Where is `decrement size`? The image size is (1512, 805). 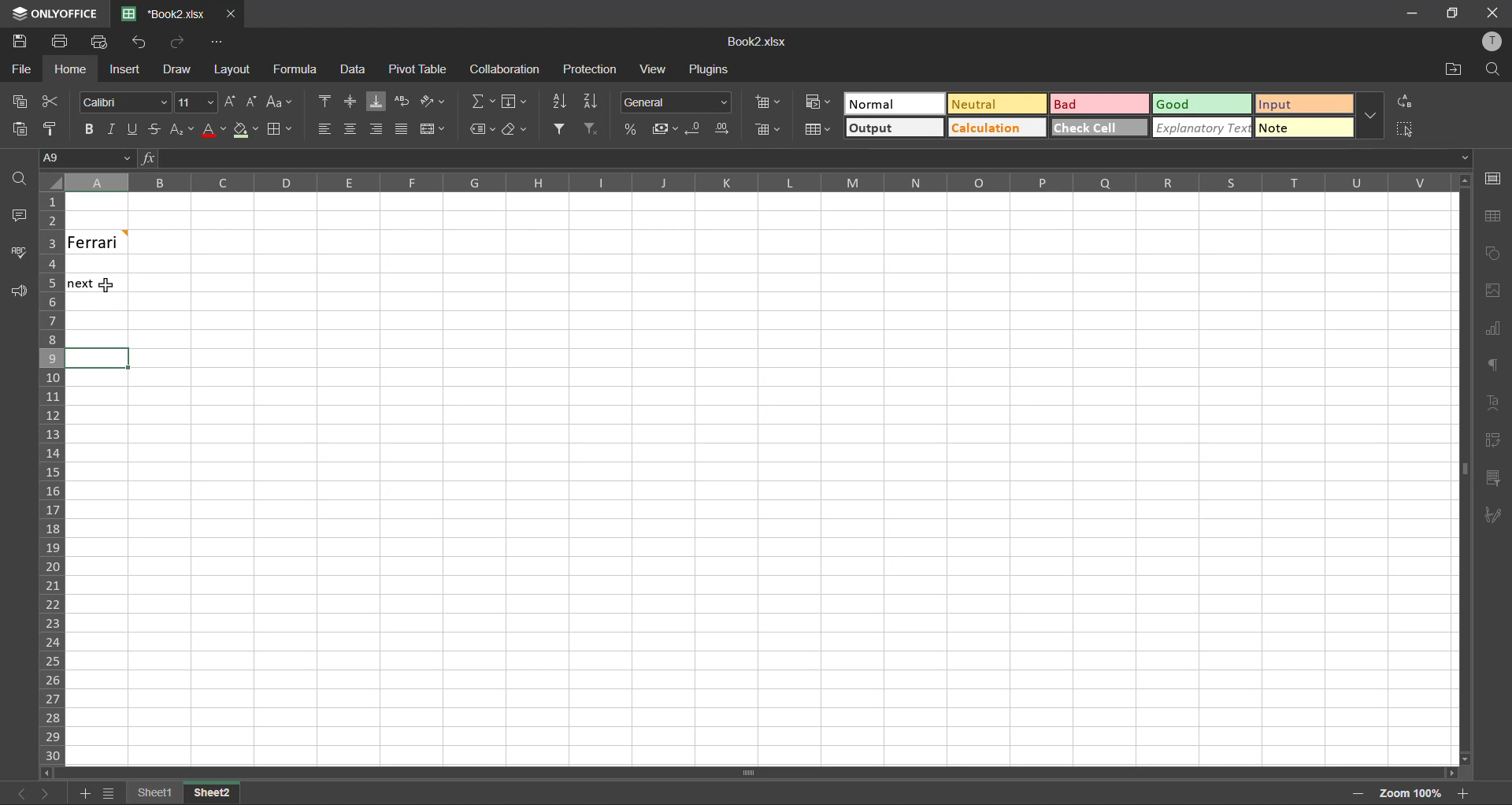
decrement size is located at coordinates (254, 101).